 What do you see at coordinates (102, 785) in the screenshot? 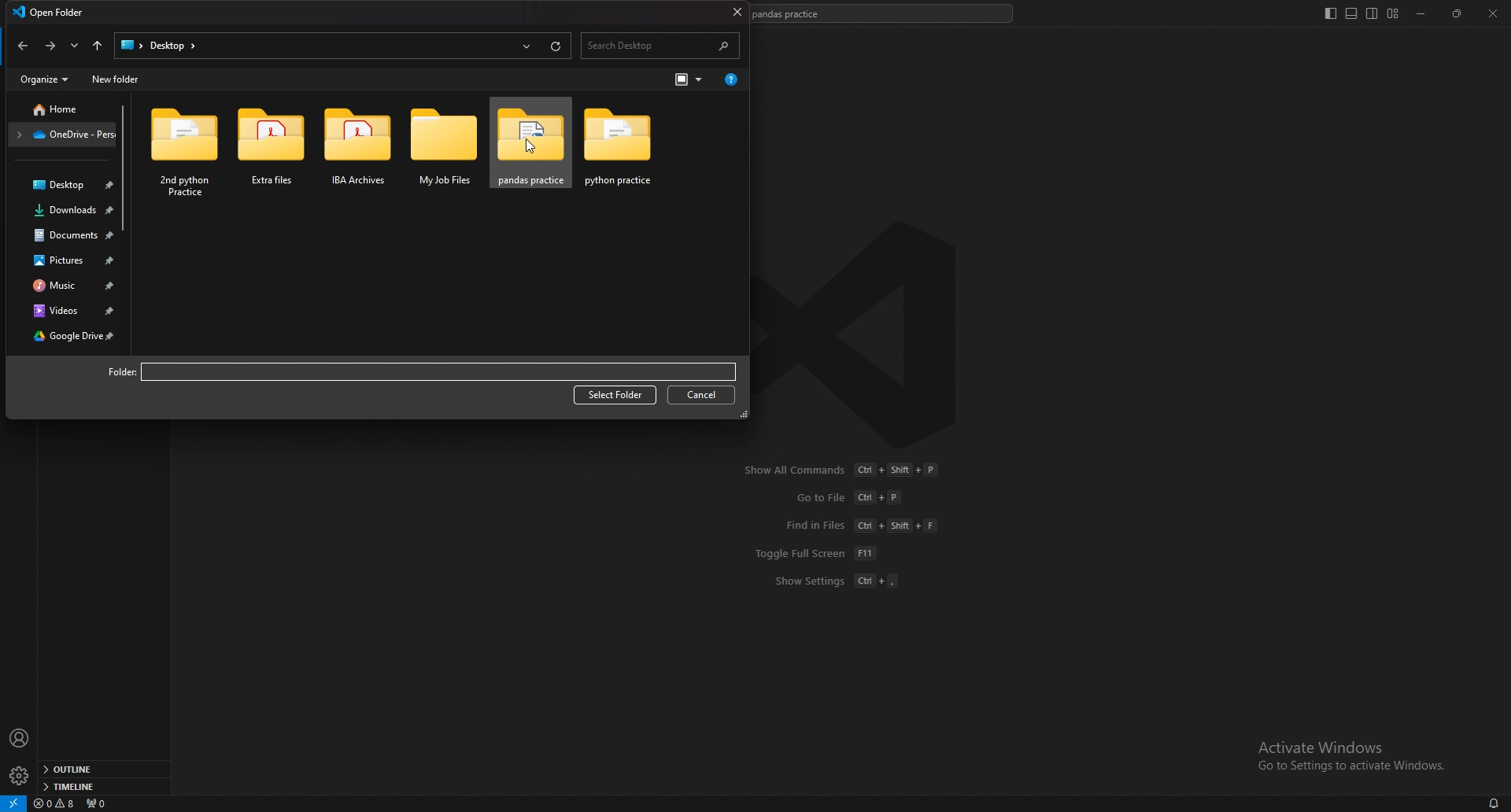
I see `timeline` at bounding box center [102, 785].